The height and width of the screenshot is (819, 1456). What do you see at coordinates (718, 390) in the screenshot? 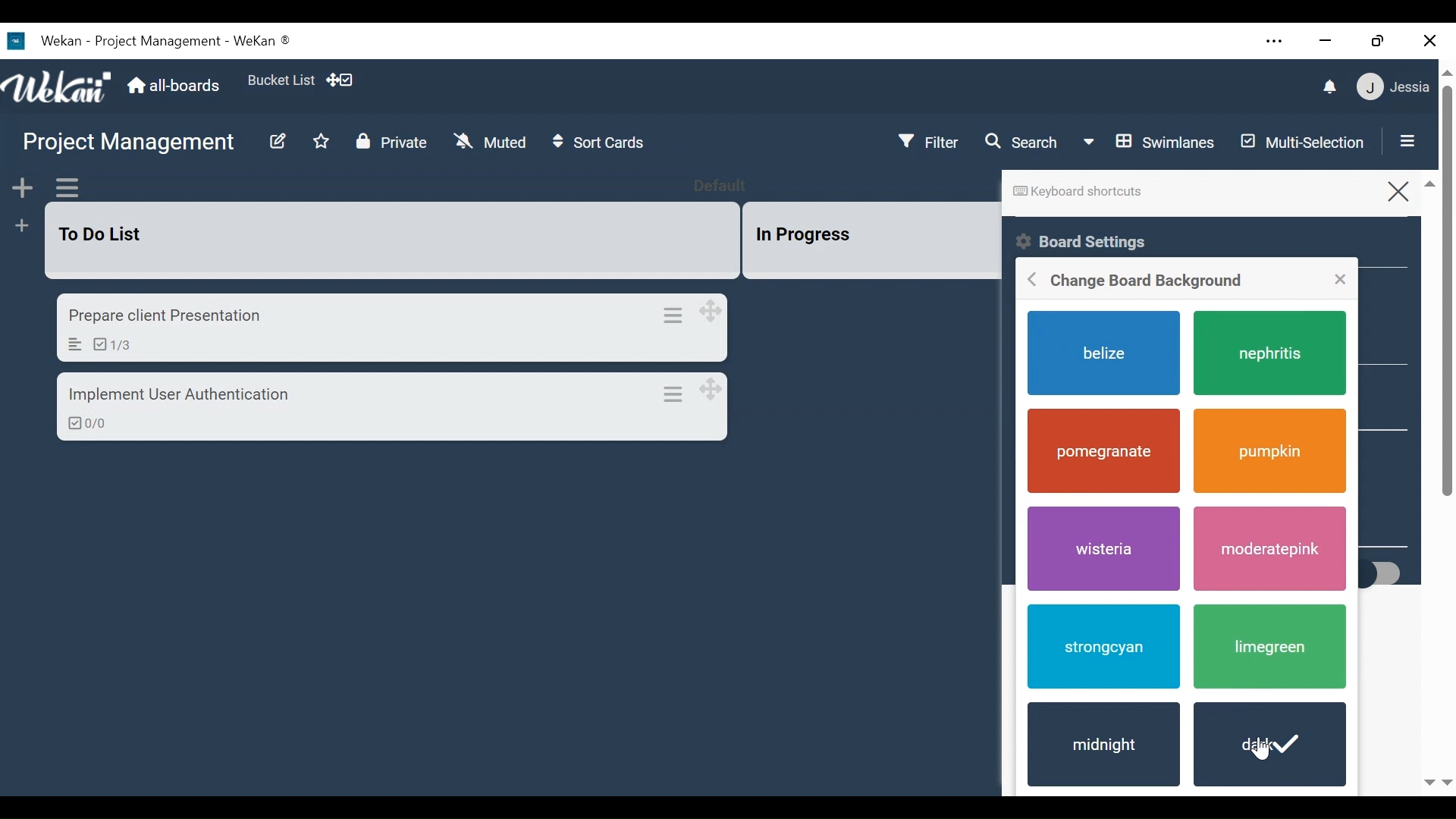
I see `Desktop drag handles` at bounding box center [718, 390].